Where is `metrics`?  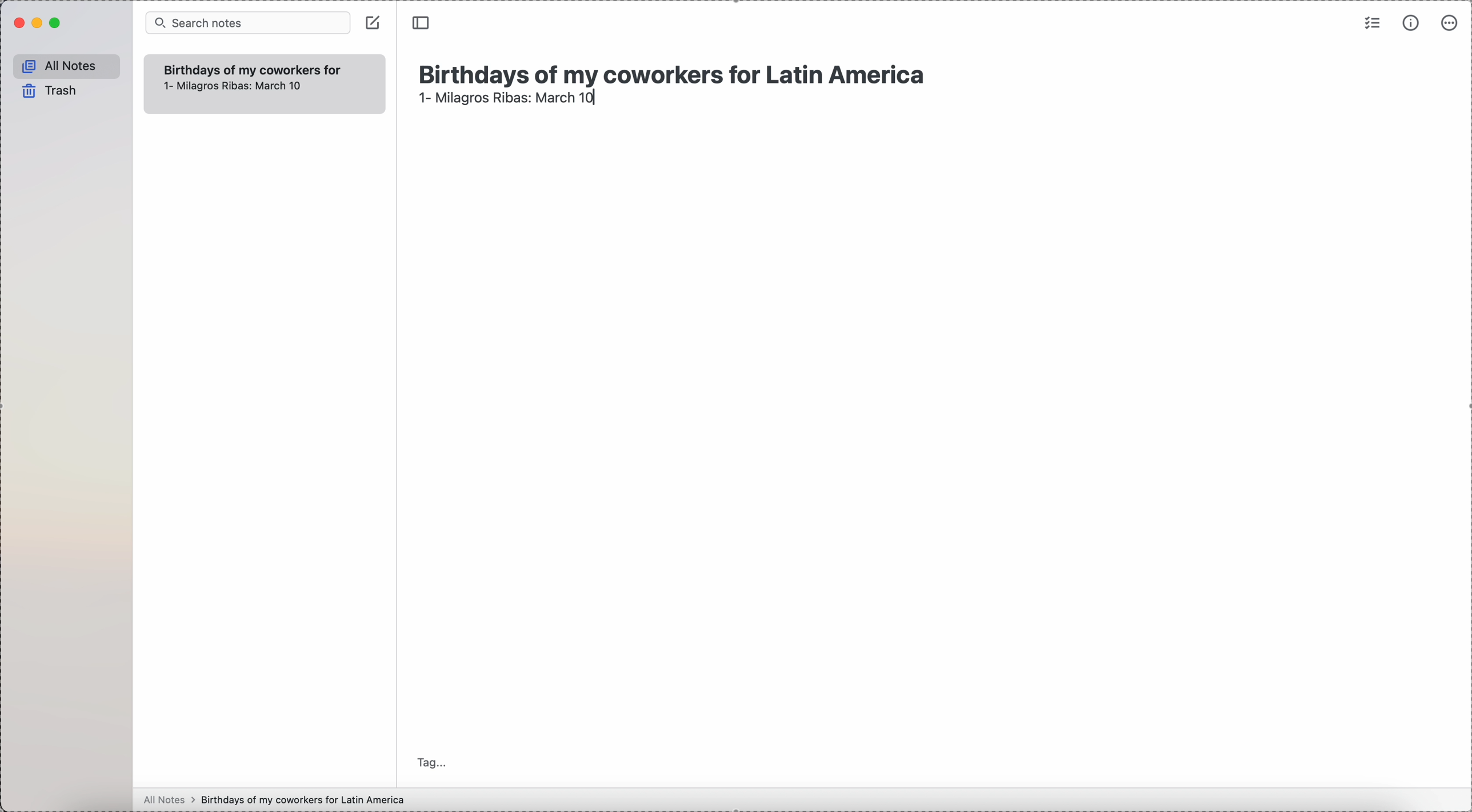 metrics is located at coordinates (1413, 22).